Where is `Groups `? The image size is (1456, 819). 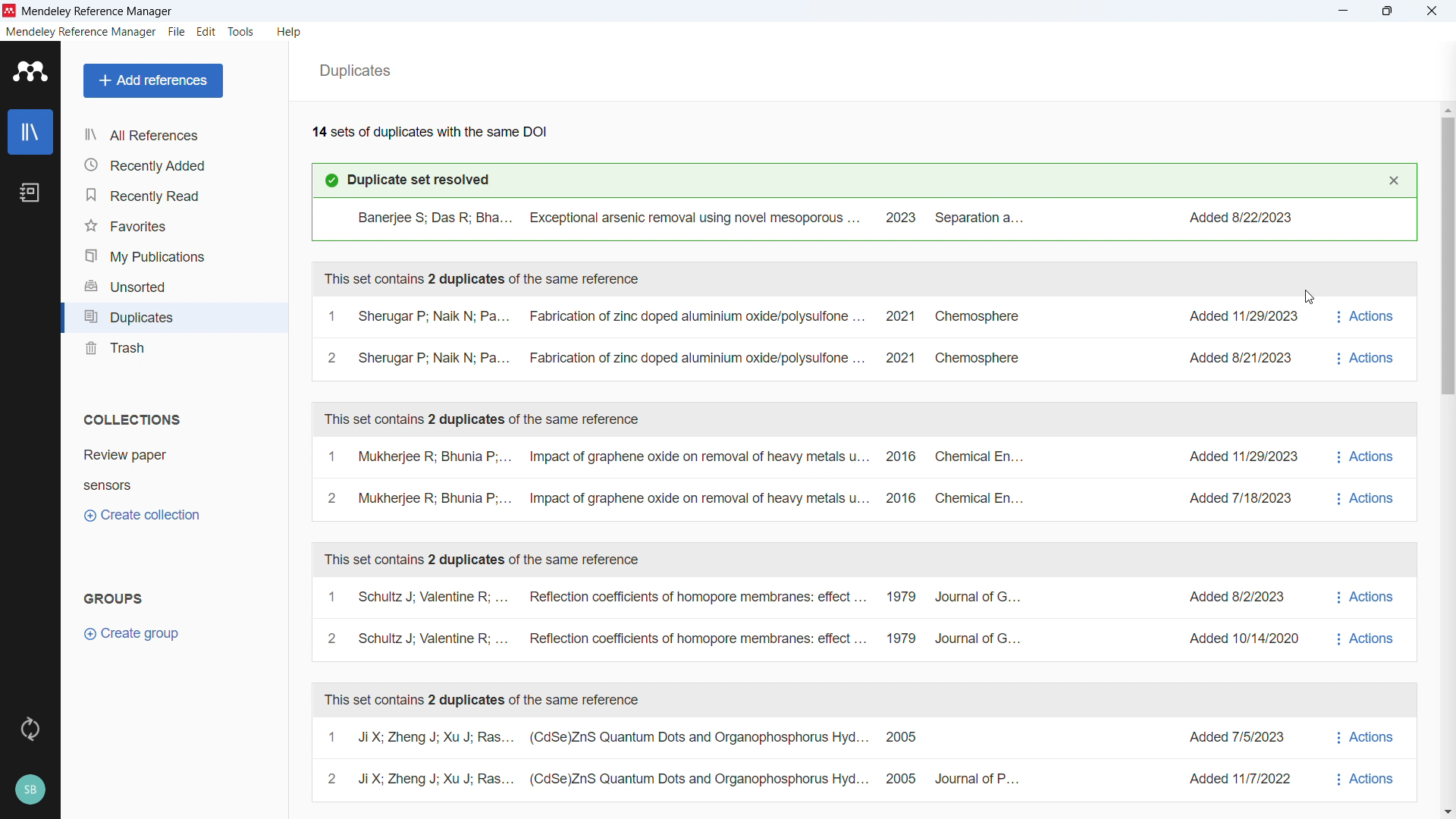 Groups  is located at coordinates (115, 600).